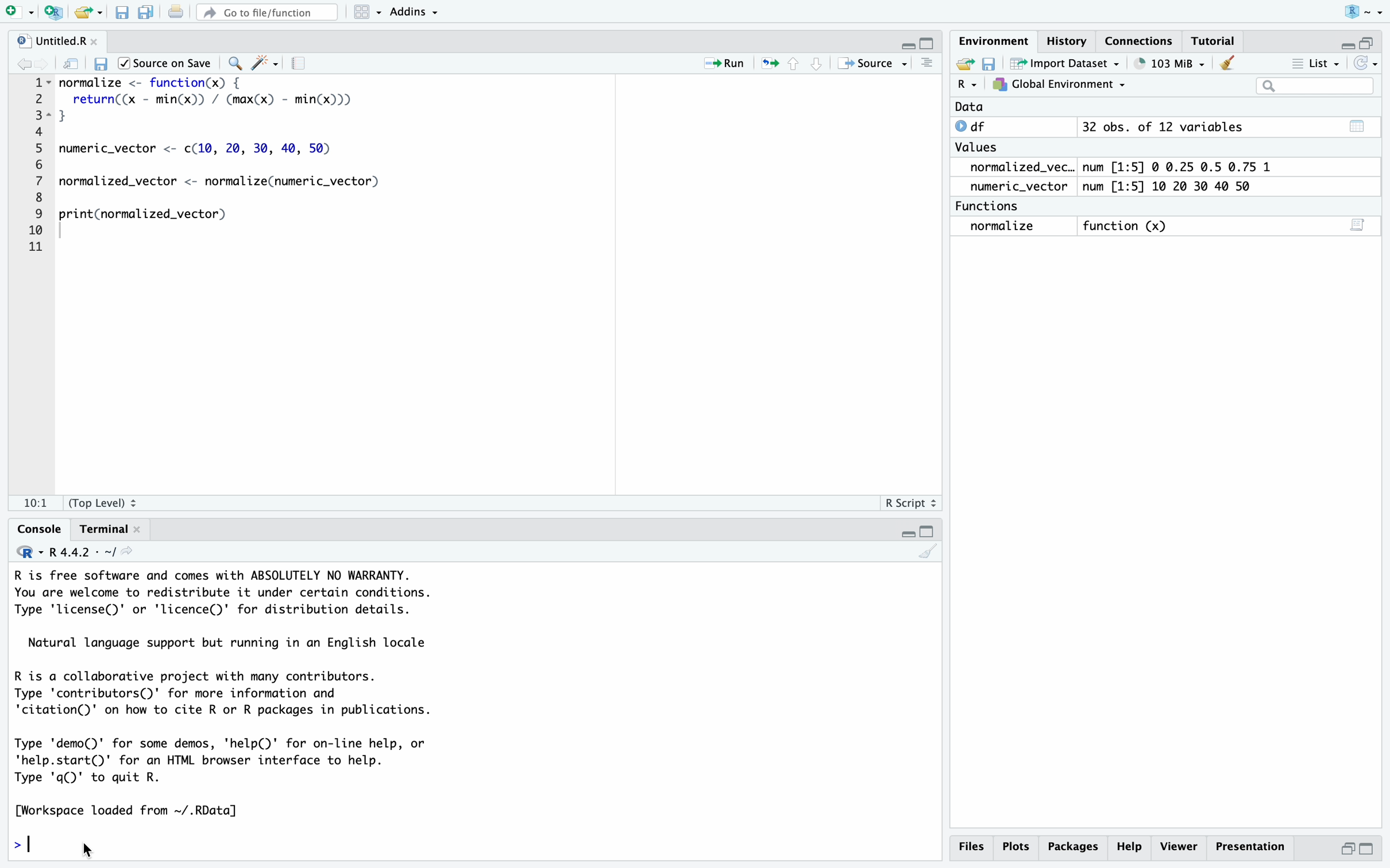 The image size is (1390, 868). What do you see at coordinates (1168, 64) in the screenshot?
I see `103kib used by R session (Source: Windows System)` at bounding box center [1168, 64].